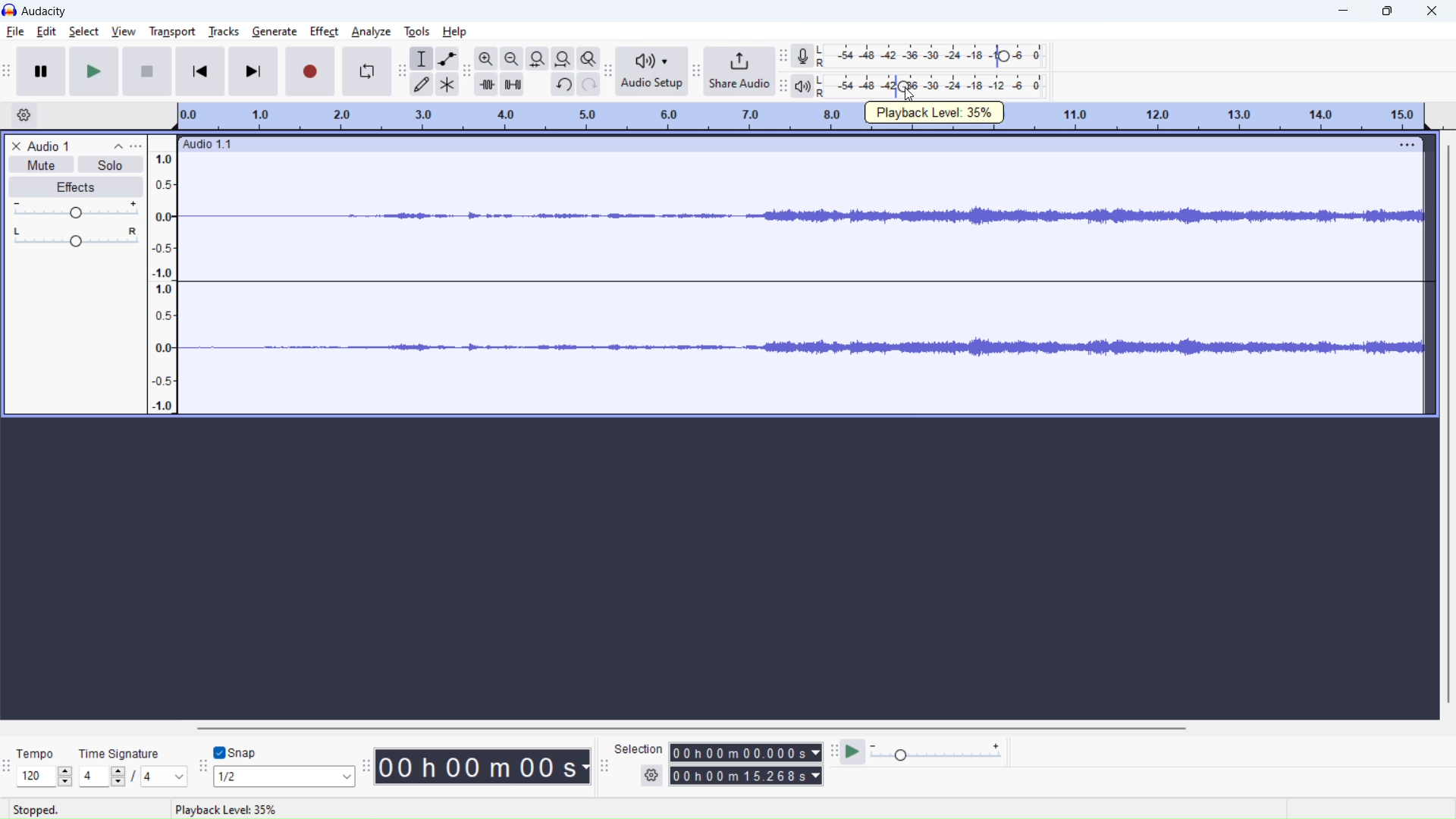  I want to click on fit project to width, so click(562, 58).